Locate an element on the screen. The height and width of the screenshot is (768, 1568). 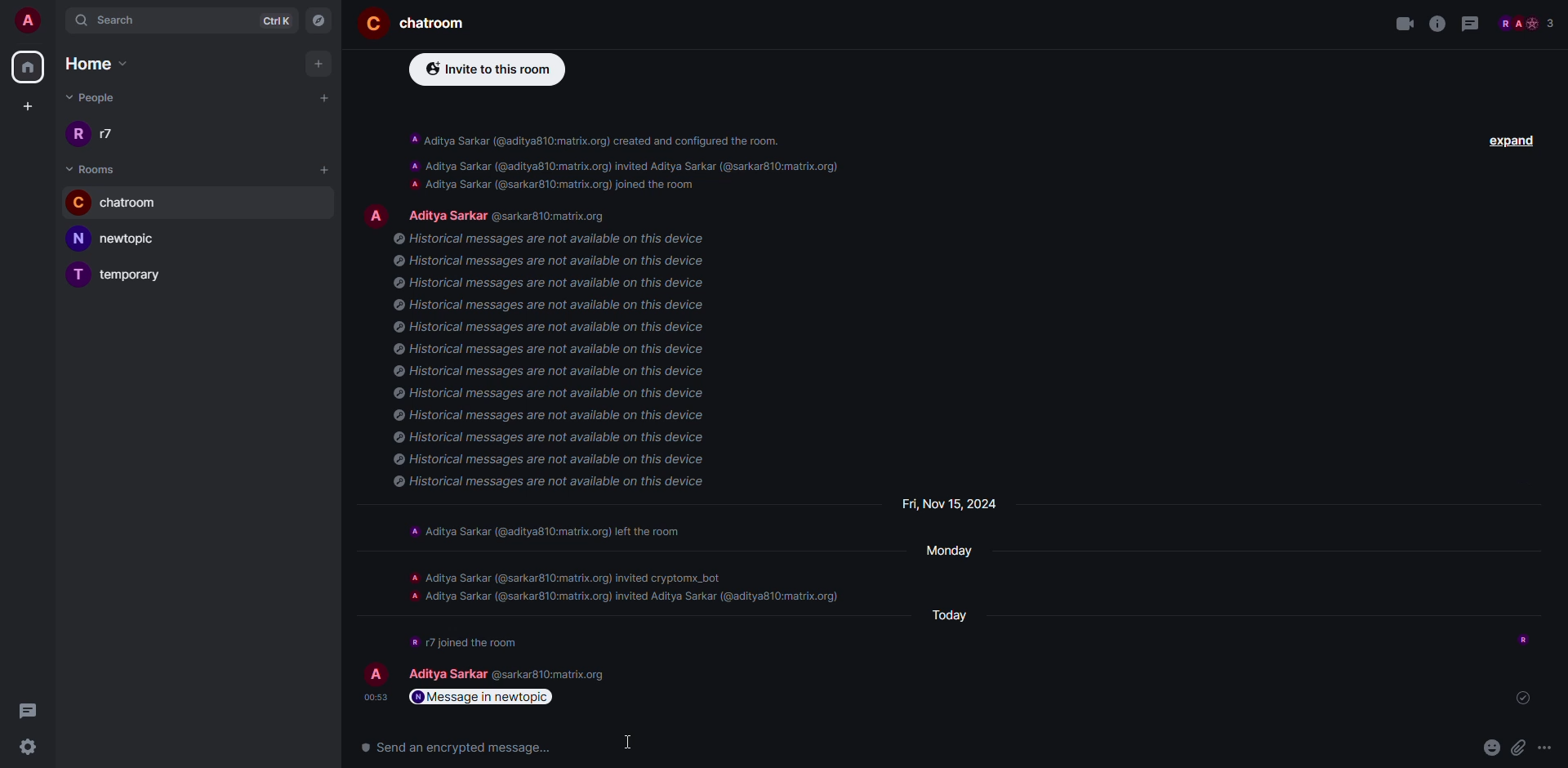
profile is located at coordinates (376, 673).